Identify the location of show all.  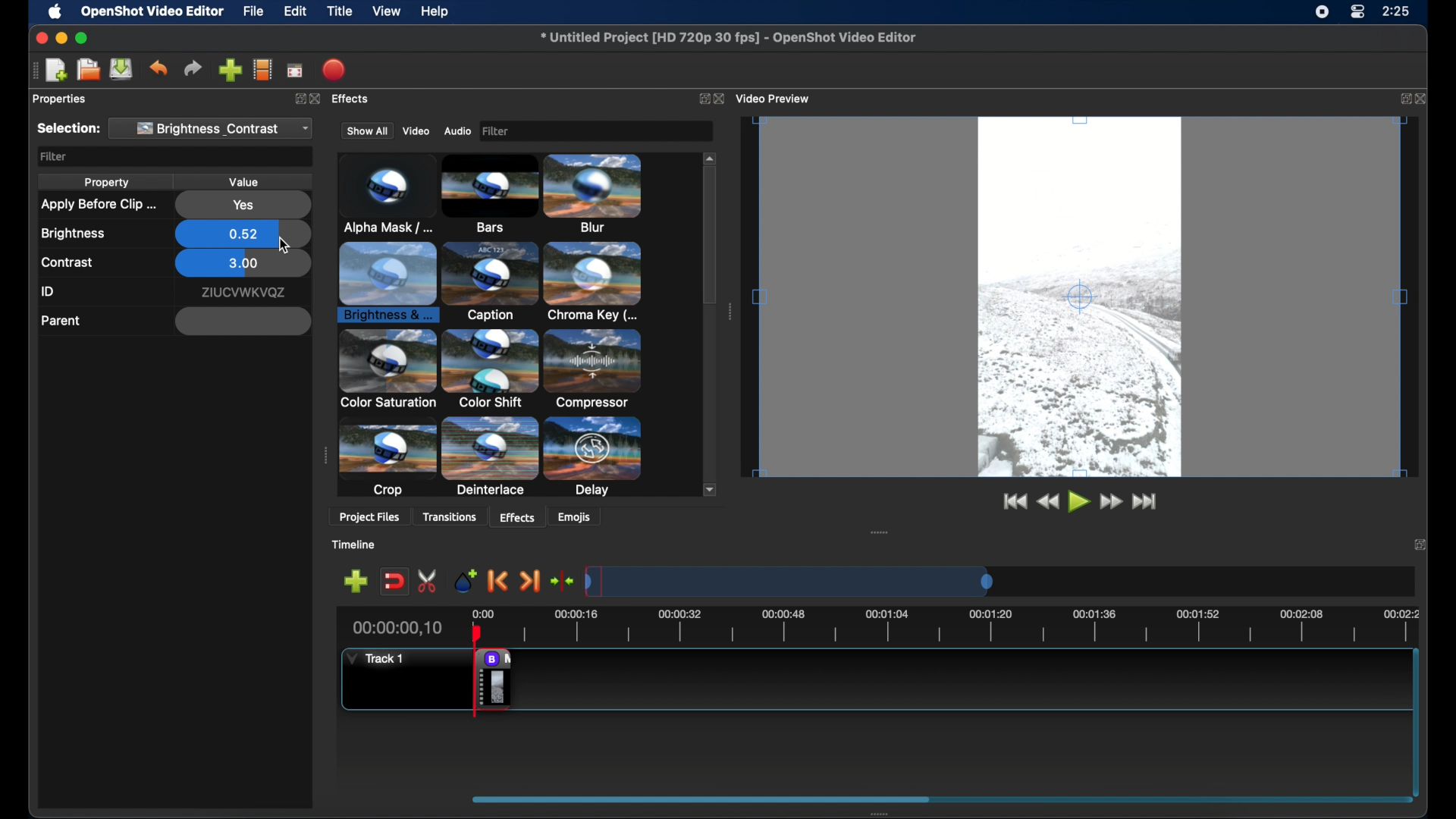
(365, 131).